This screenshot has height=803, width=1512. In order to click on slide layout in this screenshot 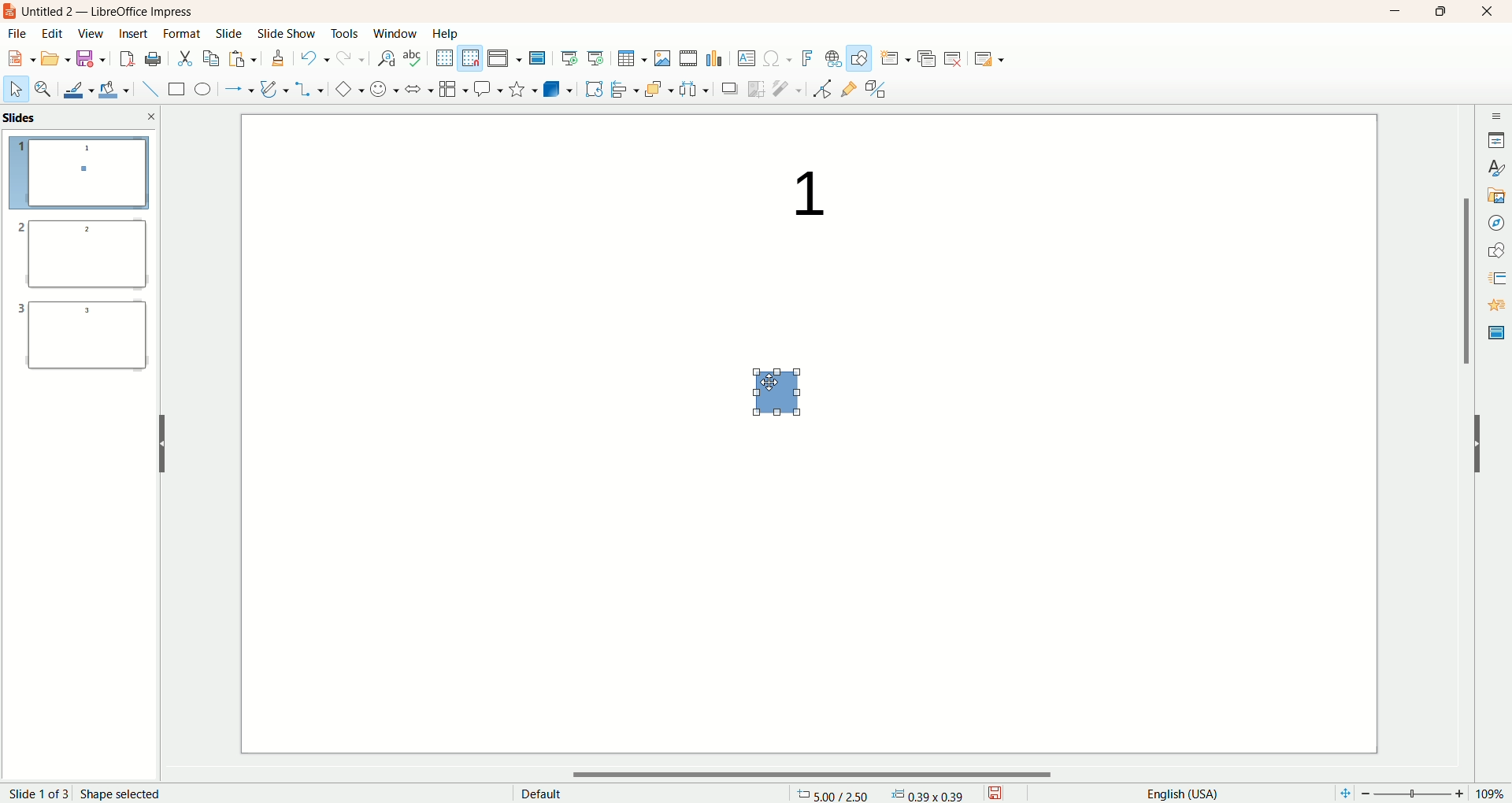, I will do `click(999, 61)`.